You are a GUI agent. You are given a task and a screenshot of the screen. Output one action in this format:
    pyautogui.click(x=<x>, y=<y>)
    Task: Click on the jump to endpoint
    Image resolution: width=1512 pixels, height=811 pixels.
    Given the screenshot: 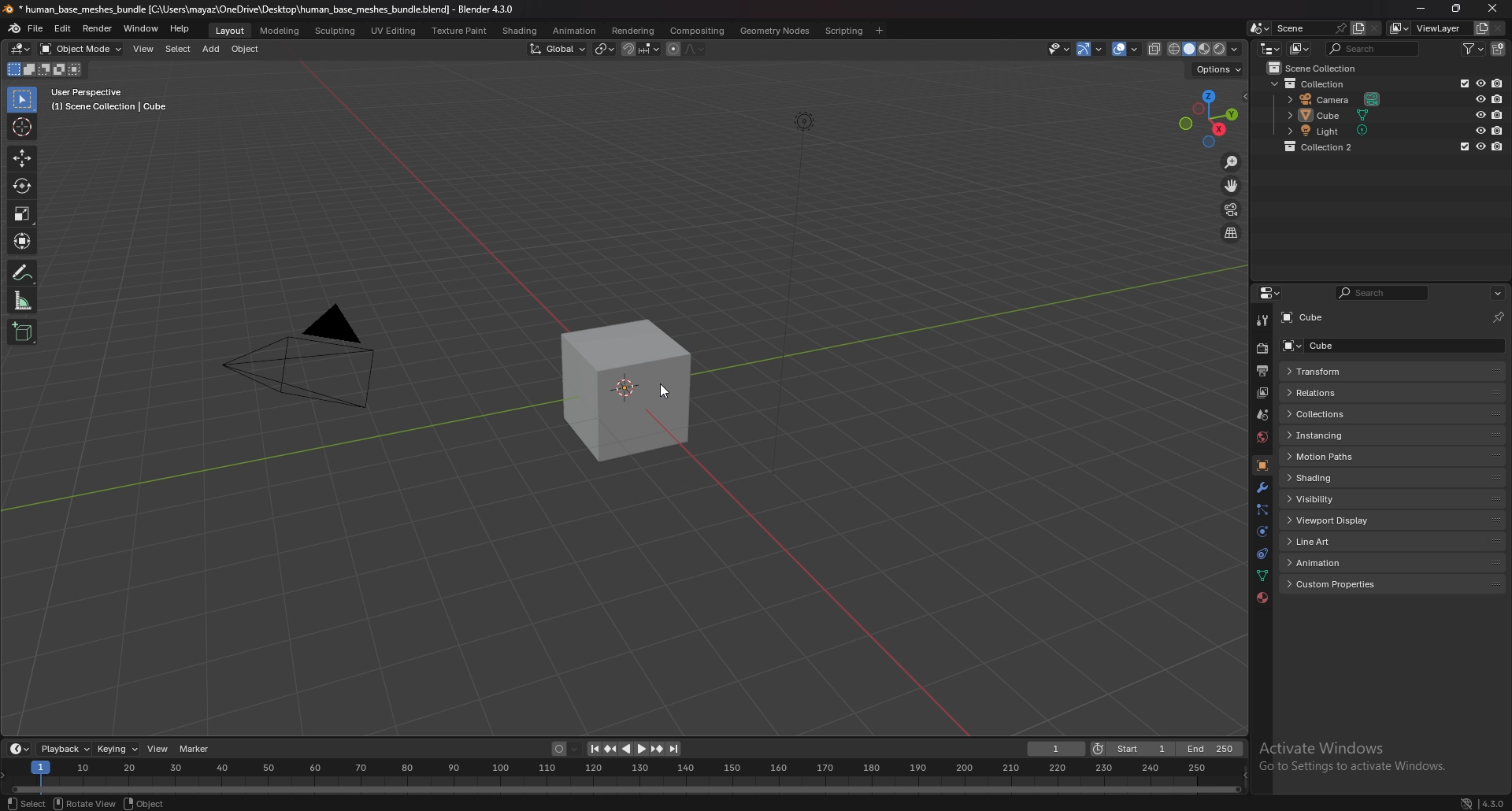 What is the action you would take?
    pyautogui.click(x=593, y=749)
    